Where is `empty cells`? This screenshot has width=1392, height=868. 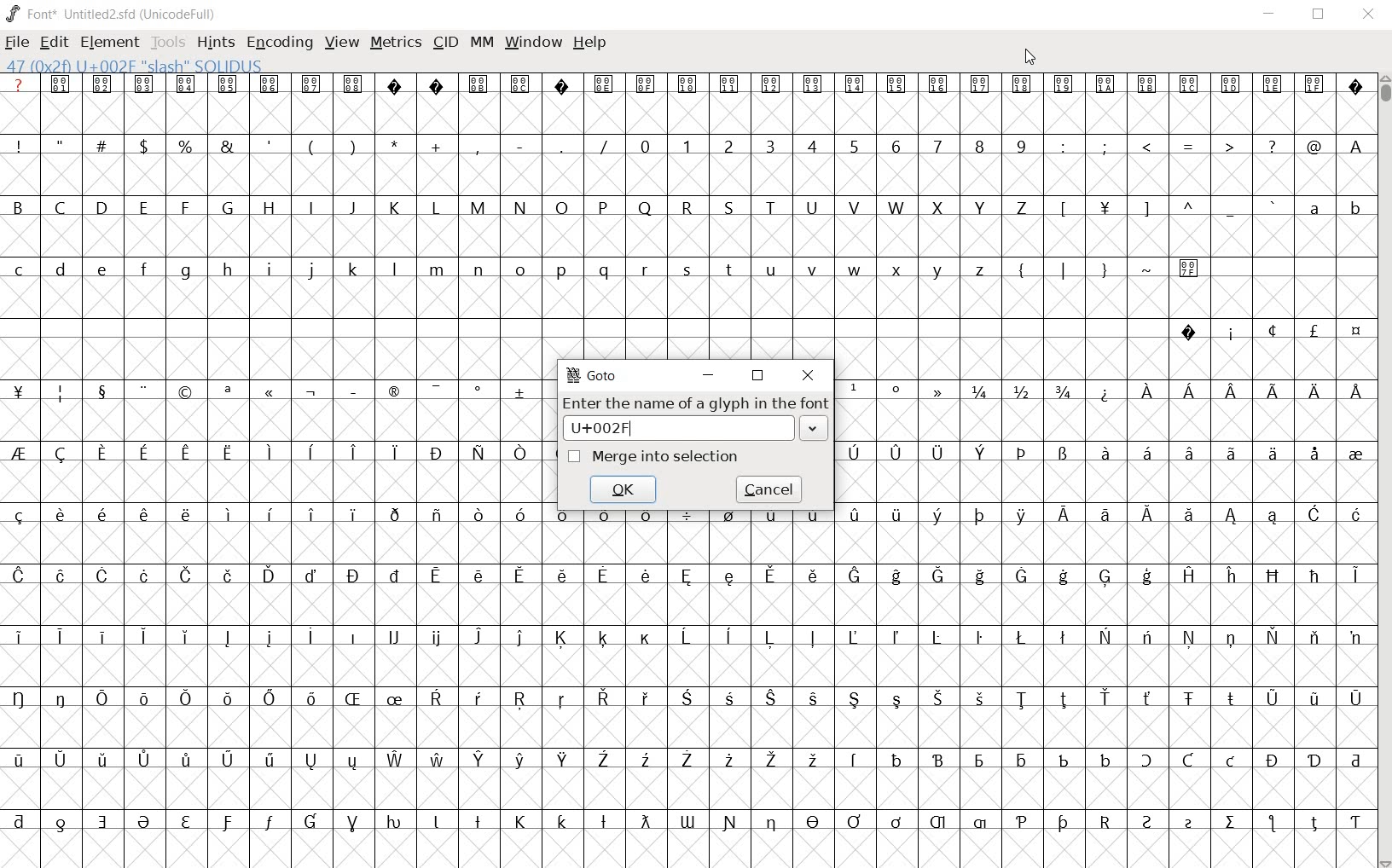
empty cells is located at coordinates (691, 542).